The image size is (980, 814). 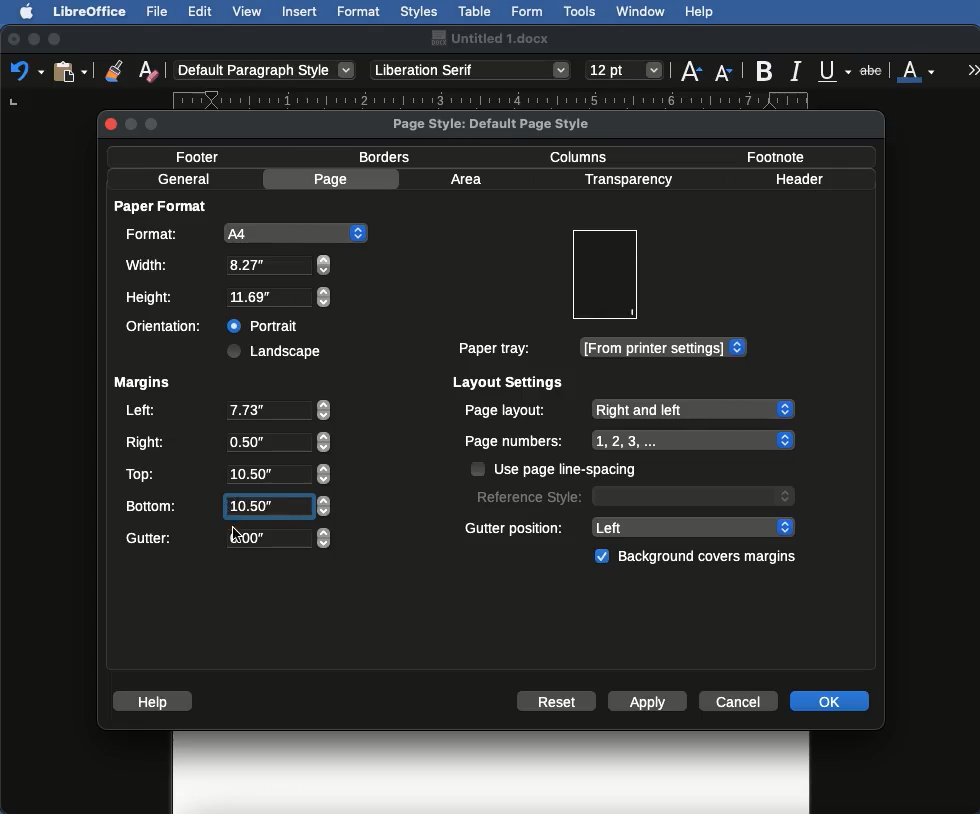 I want to click on Background covers margins, so click(x=699, y=557).